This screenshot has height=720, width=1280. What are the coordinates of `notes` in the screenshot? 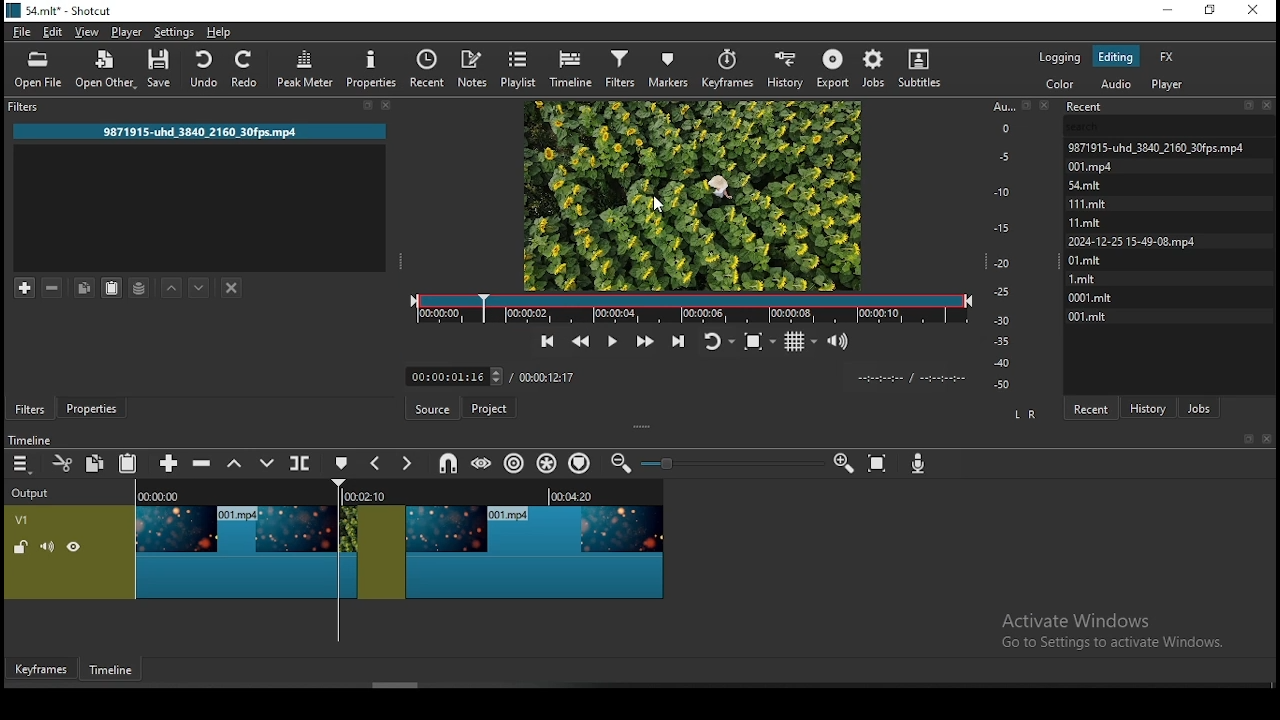 It's located at (471, 68).